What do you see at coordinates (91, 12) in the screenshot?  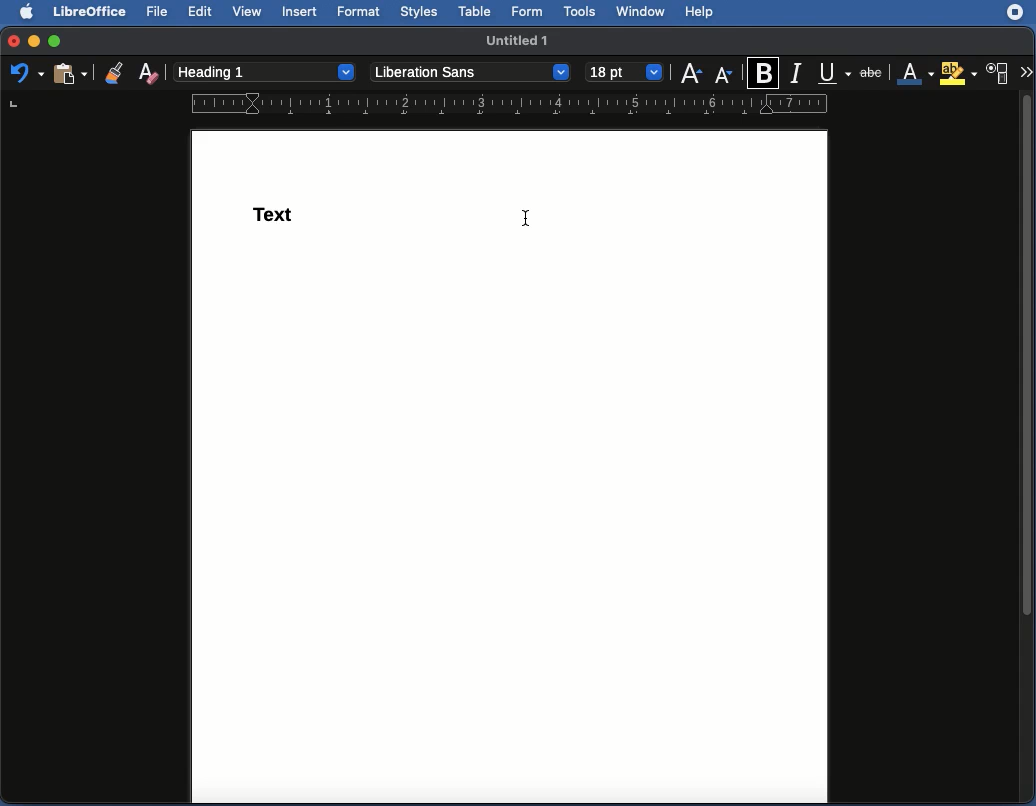 I see `LibreOffice` at bounding box center [91, 12].